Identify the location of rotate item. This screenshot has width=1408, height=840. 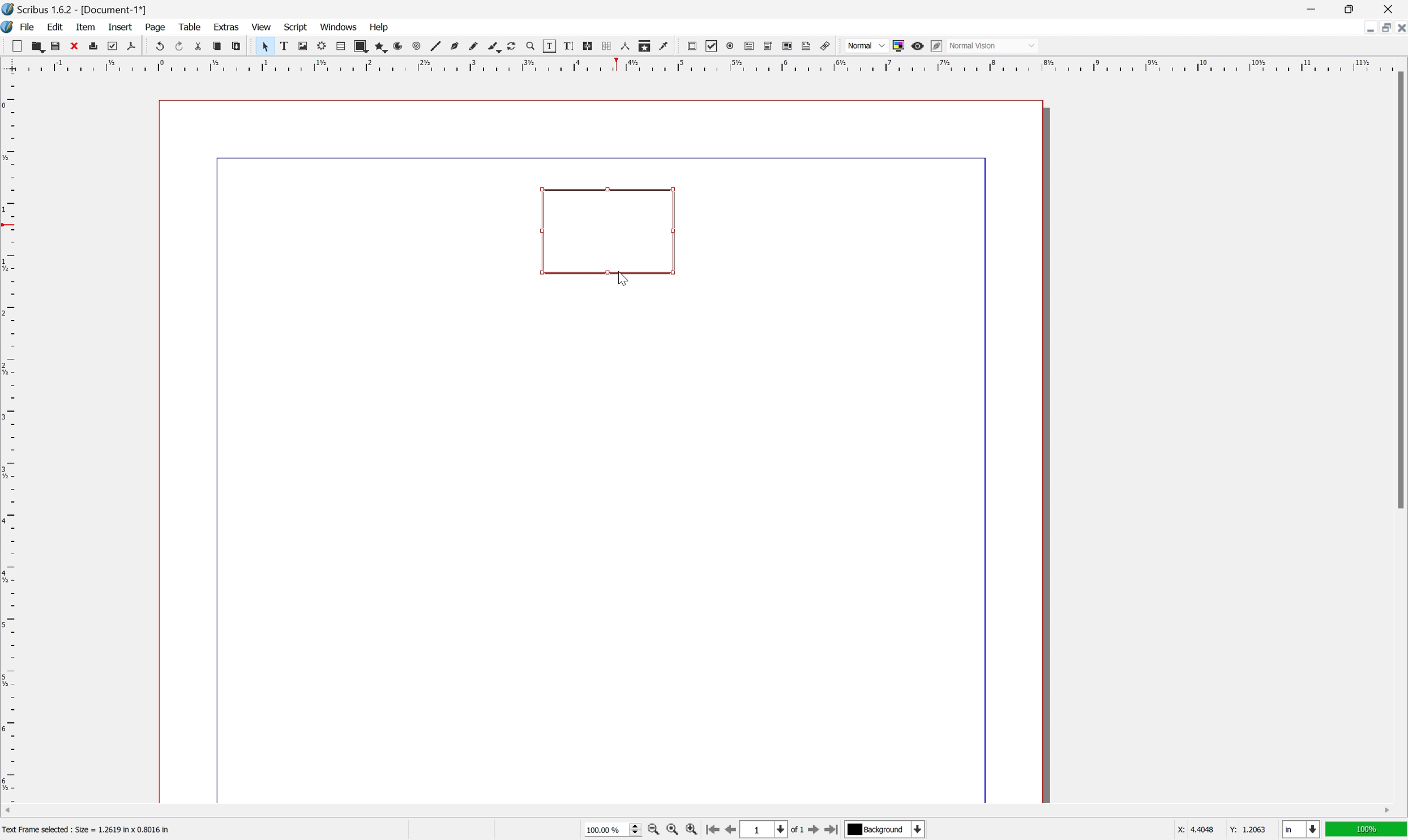
(512, 47).